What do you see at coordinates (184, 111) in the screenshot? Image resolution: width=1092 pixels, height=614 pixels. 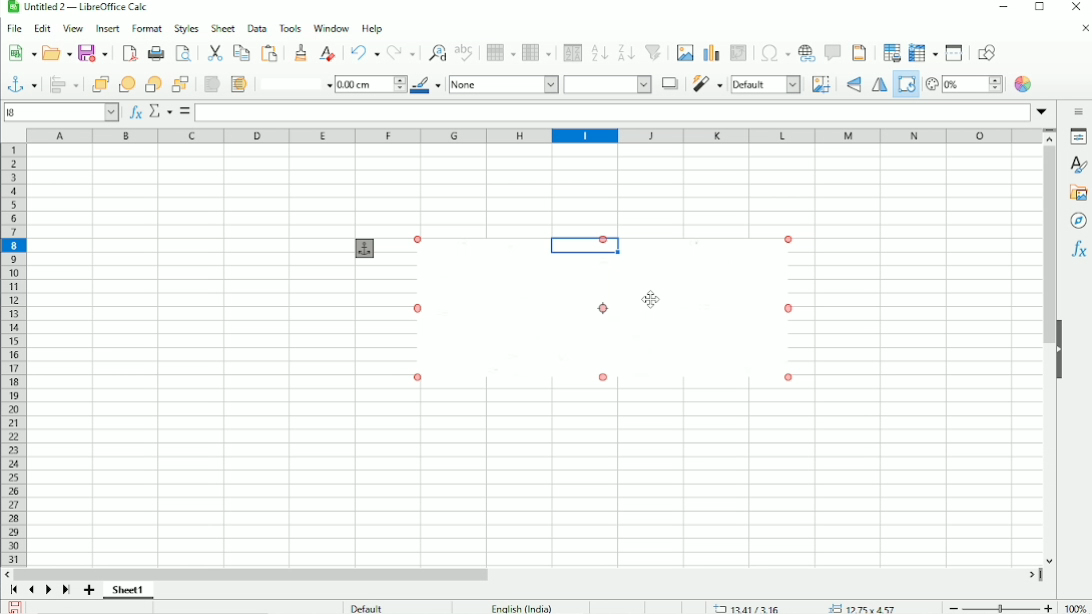 I see `Formula` at bounding box center [184, 111].